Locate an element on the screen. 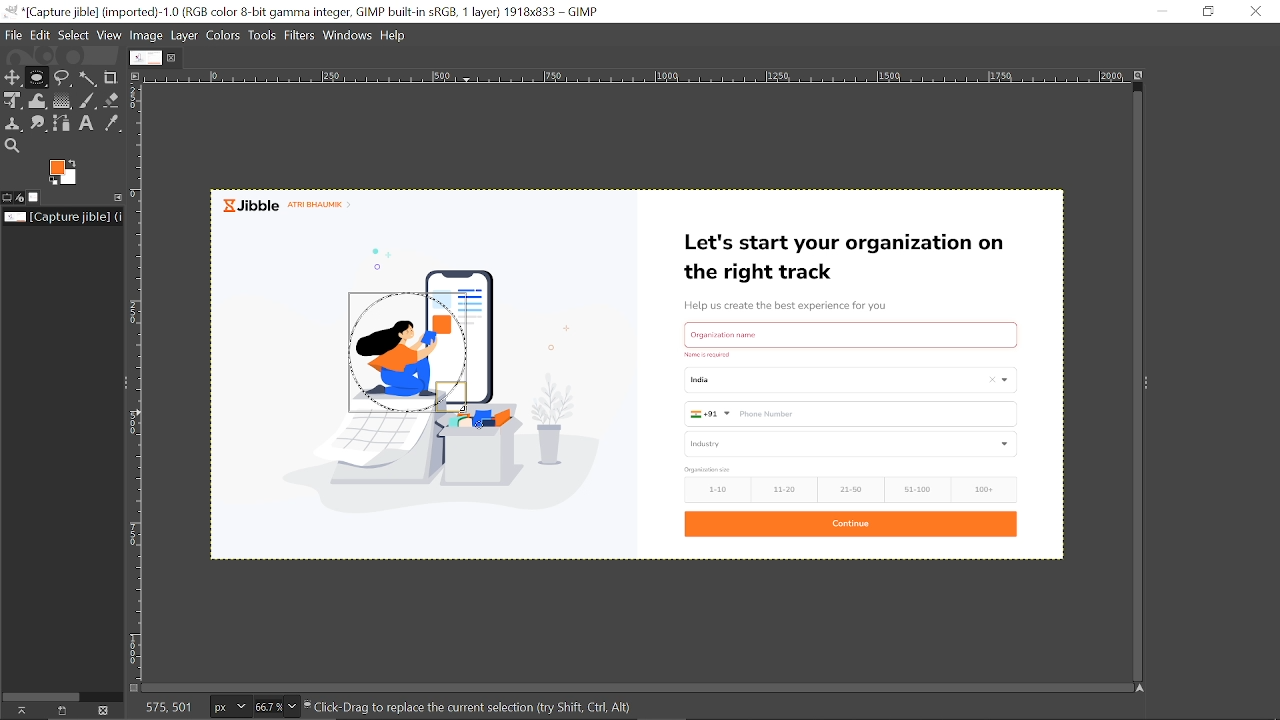 This screenshot has height=720, width=1280. Sidebar menu is located at coordinates (1156, 386).